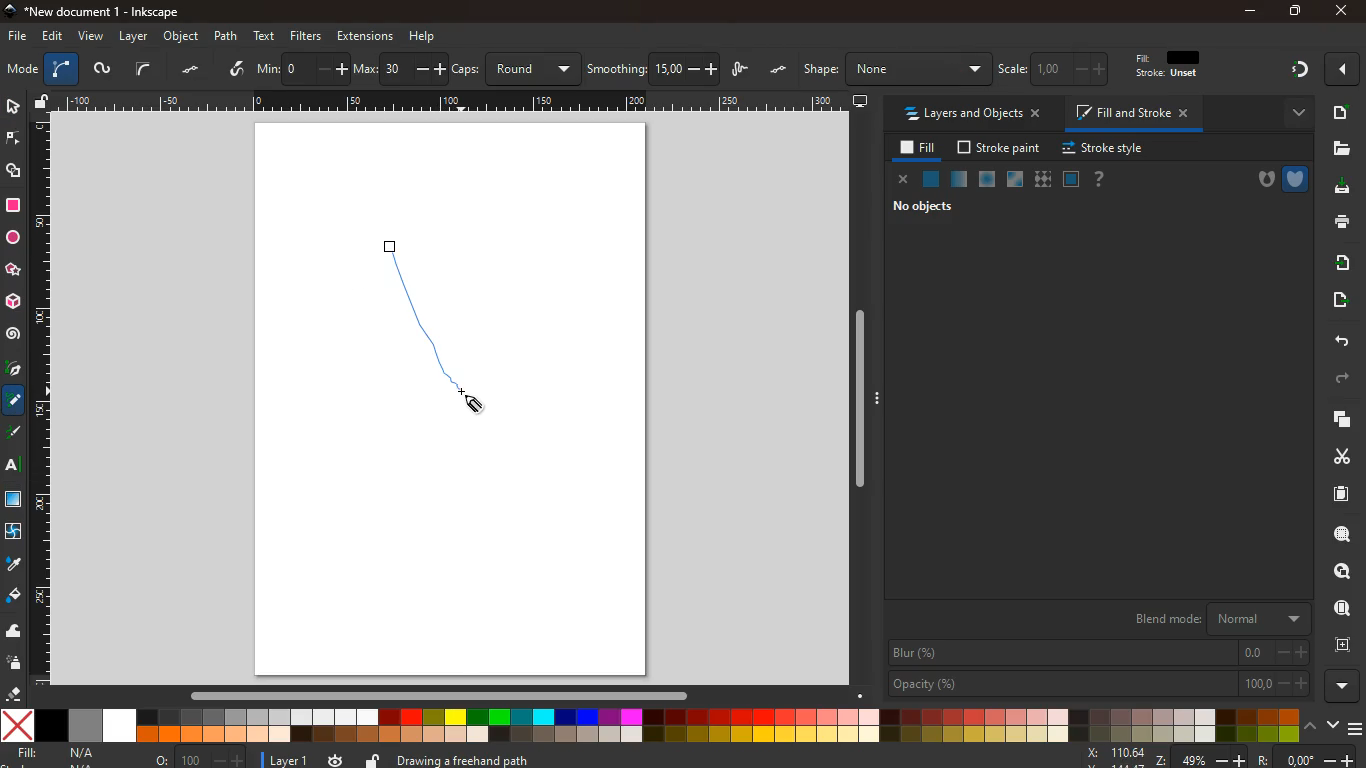  What do you see at coordinates (1339, 342) in the screenshot?
I see `back` at bounding box center [1339, 342].